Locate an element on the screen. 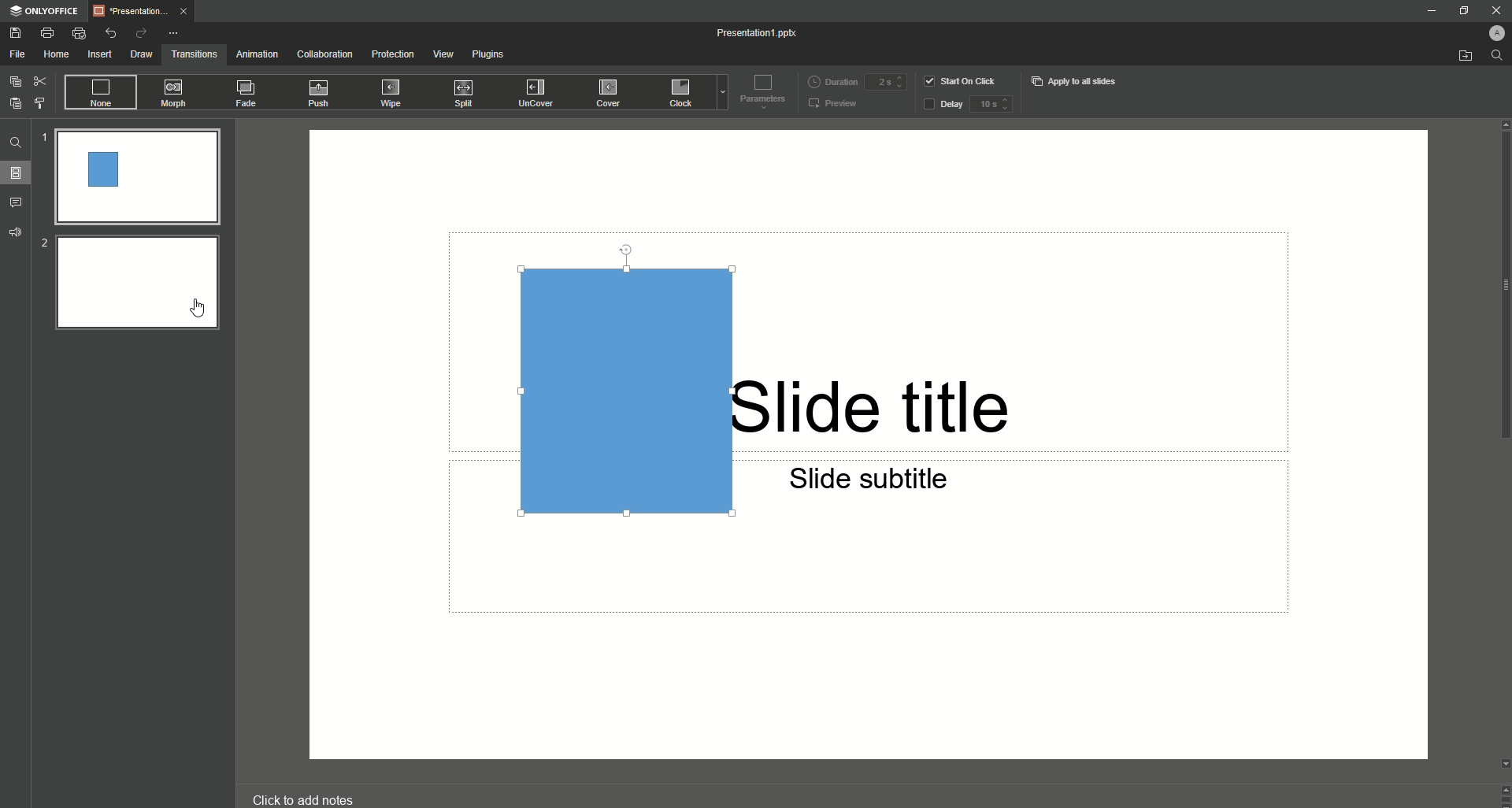  Print is located at coordinates (47, 32).